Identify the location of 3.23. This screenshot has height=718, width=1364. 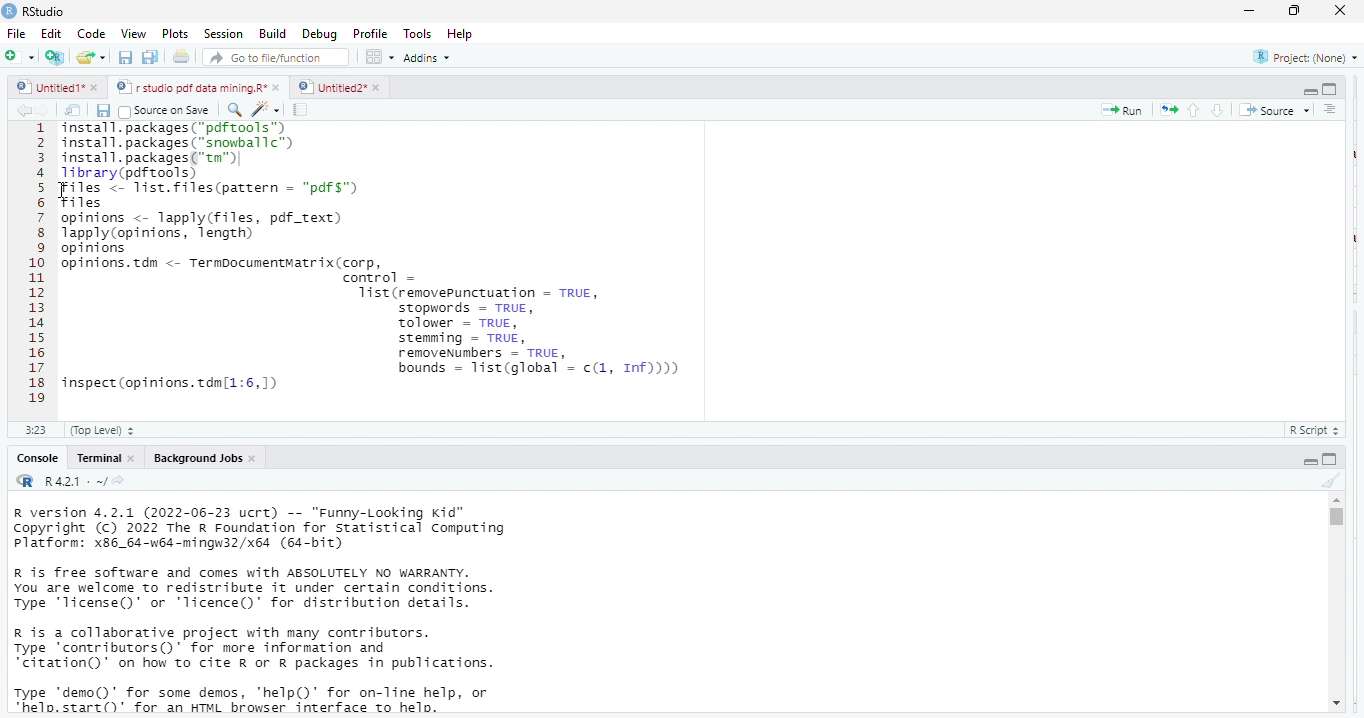
(35, 428).